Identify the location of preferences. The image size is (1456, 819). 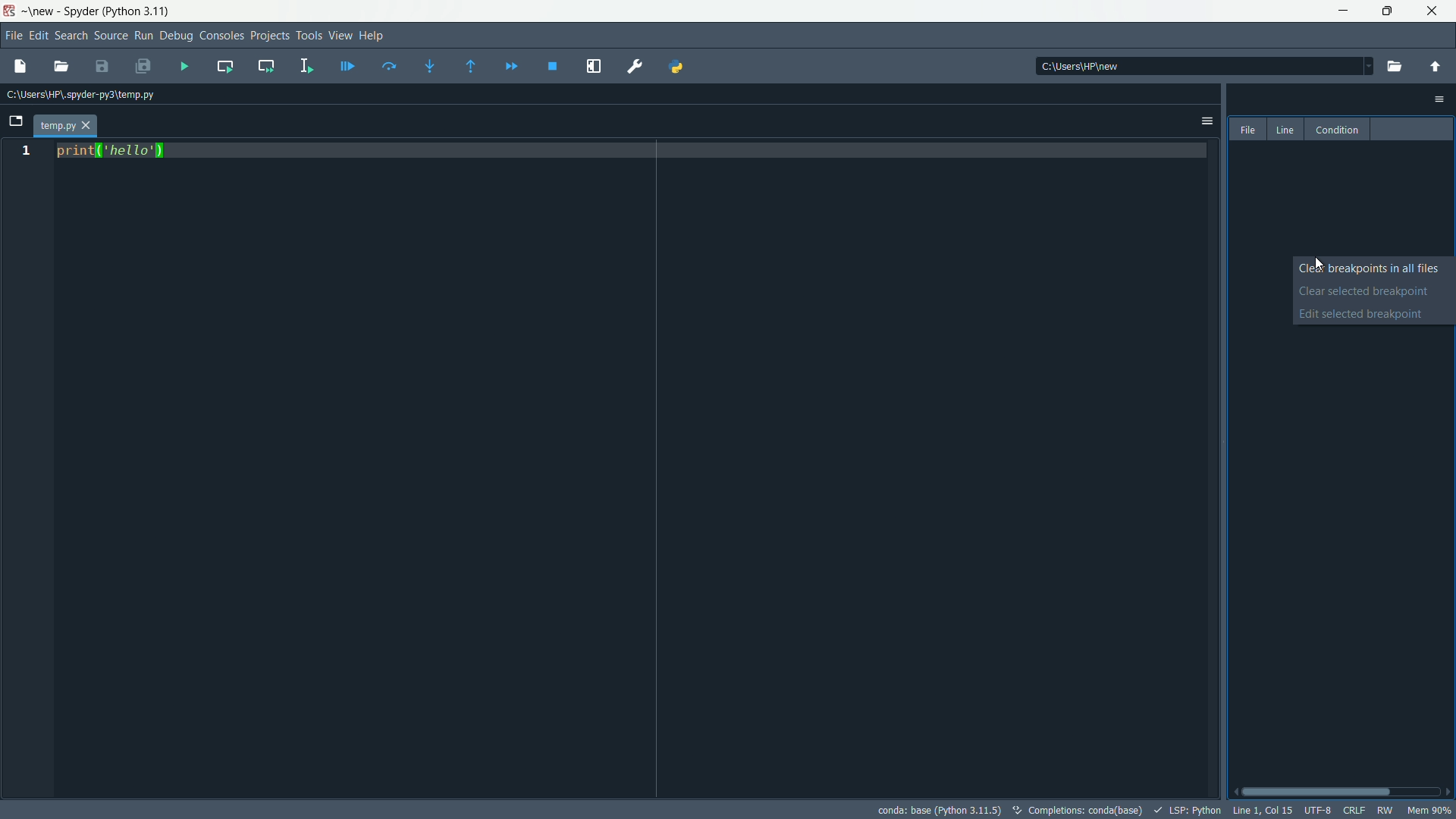
(635, 67).